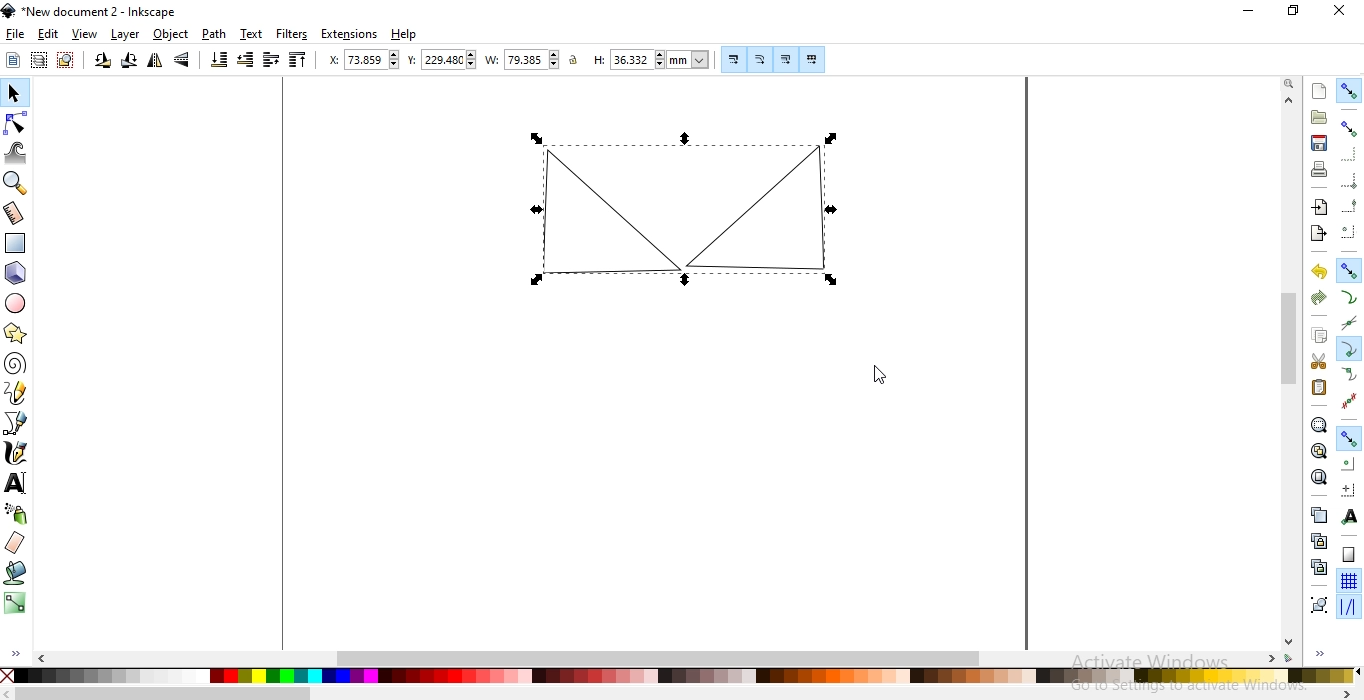 The width and height of the screenshot is (1364, 700). What do you see at coordinates (15, 396) in the screenshot?
I see `draw freehand lines` at bounding box center [15, 396].